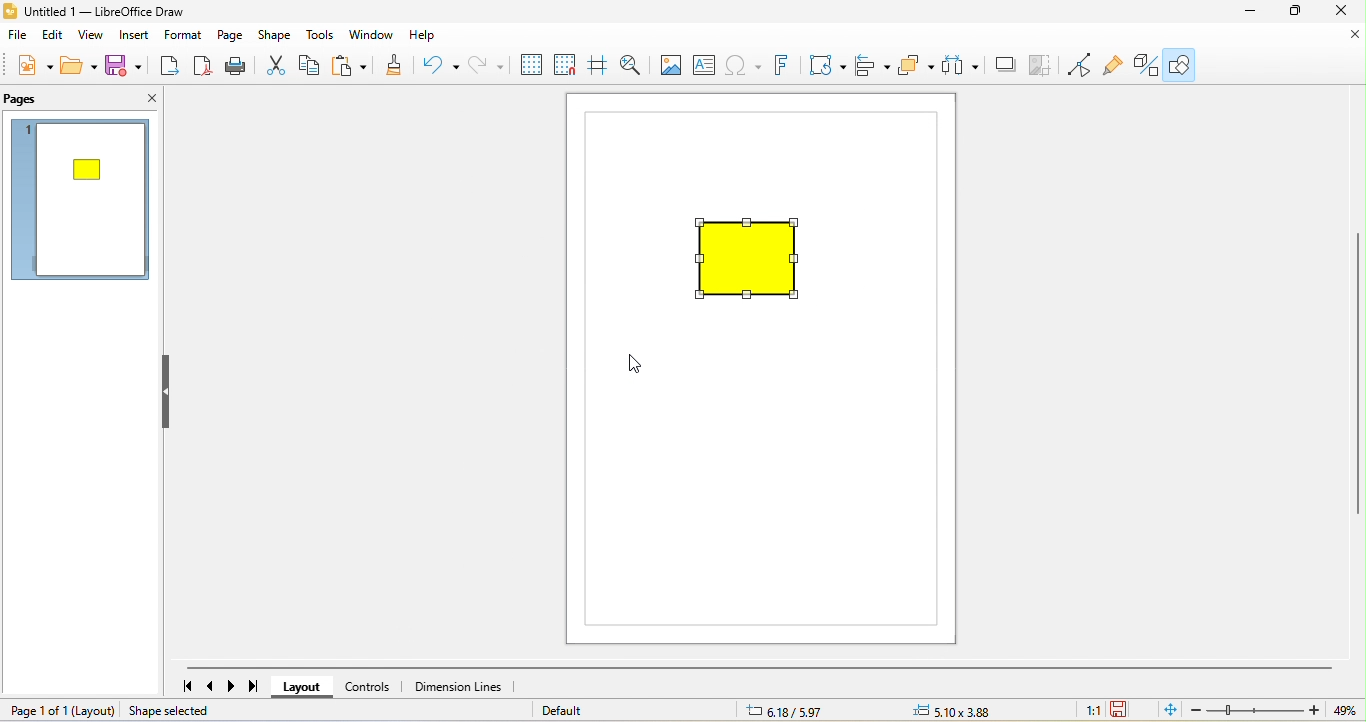 This screenshot has width=1366, height=722. What do you see at coordinates (375, 35) in the screenshot?
I see `window` at bounding box center [375, 35].